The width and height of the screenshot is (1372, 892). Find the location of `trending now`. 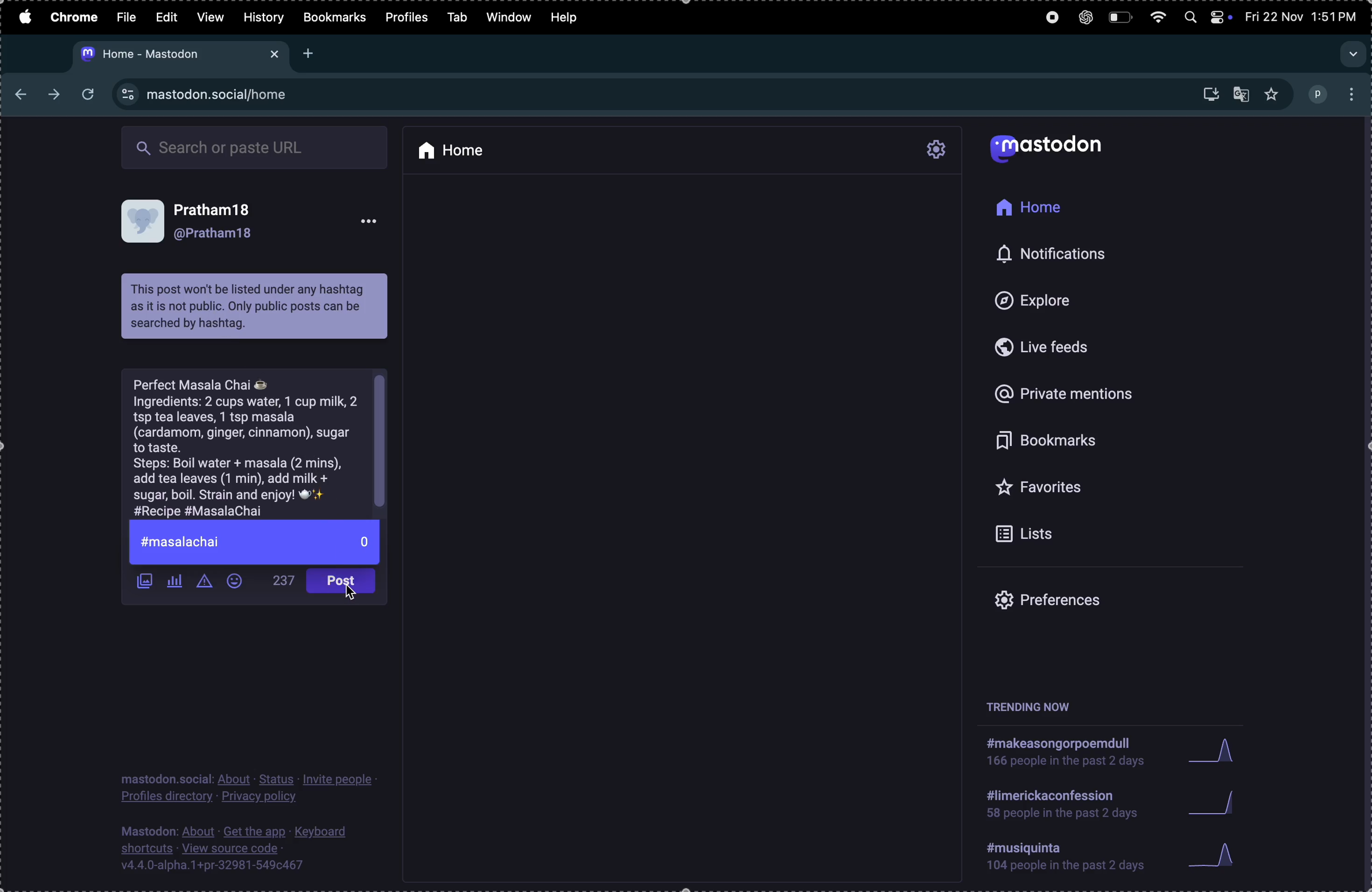

trending now is located at coordinates (1030, 705).